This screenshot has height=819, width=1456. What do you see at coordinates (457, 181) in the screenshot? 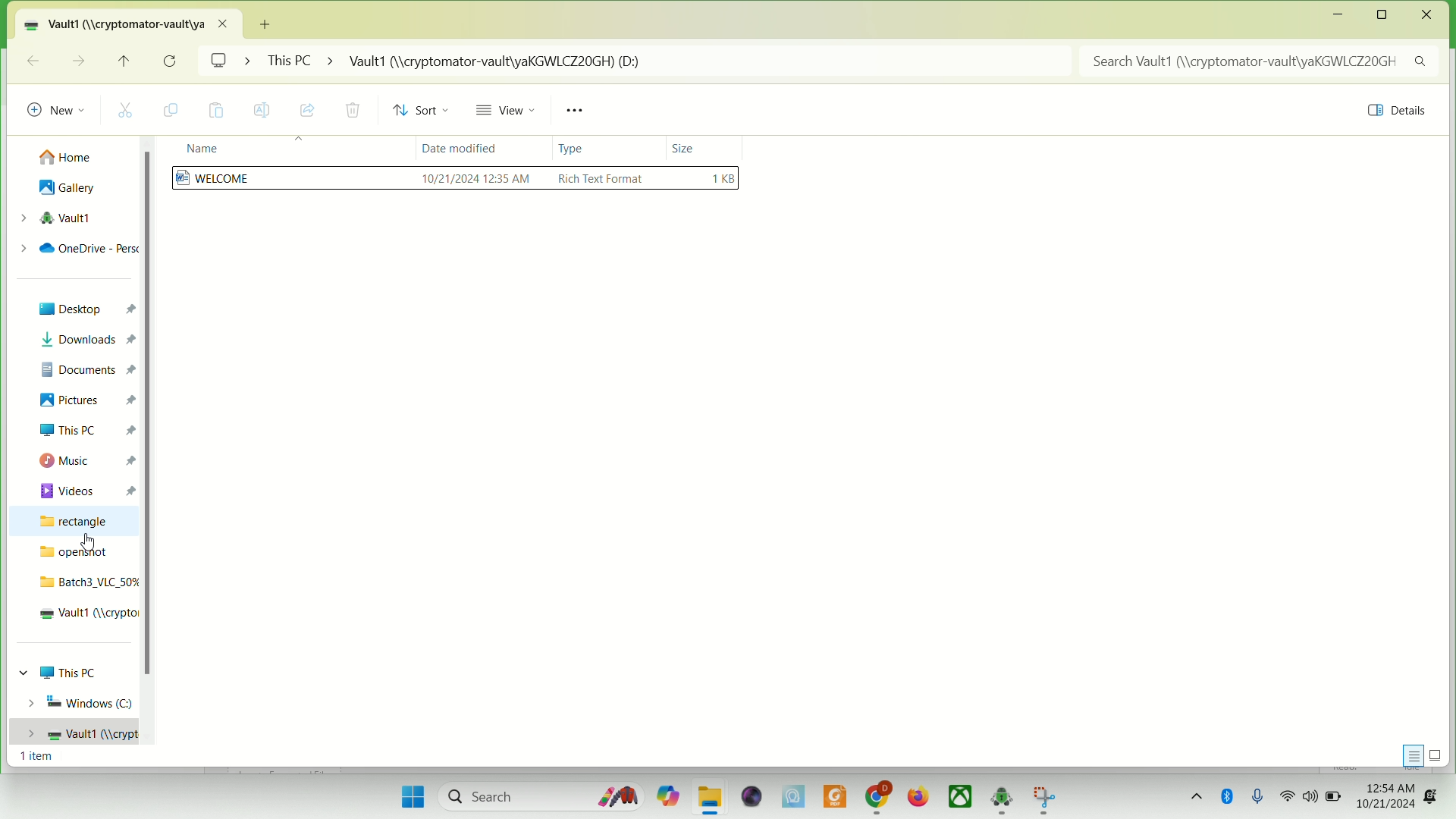
I see `WELCOME file` at bounding box center [457, 181].